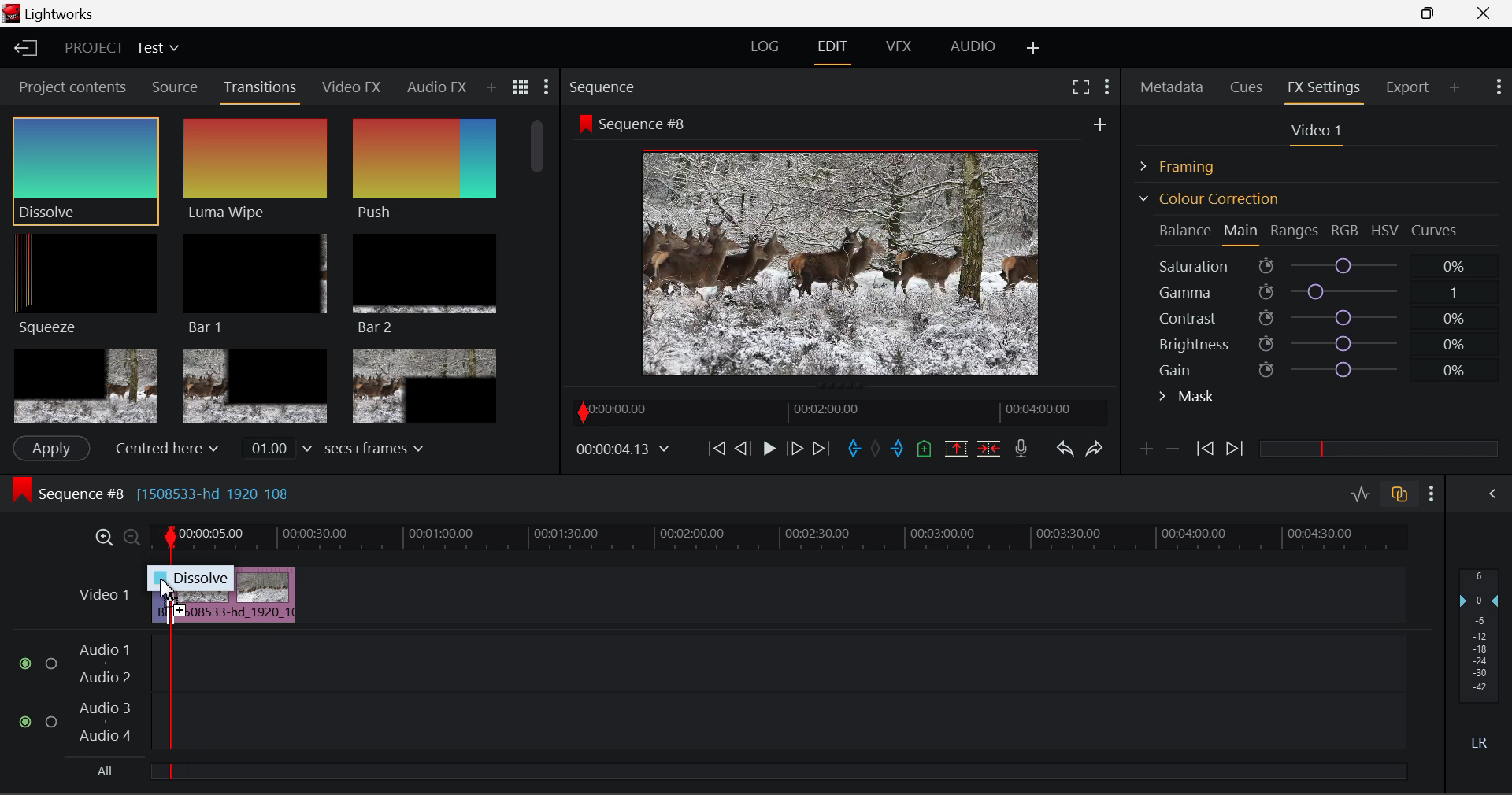 The width and height of the screenshot is (1512, 795). What do you see at coordinates (1021, 448) in the screenshot?
I see `Recrod Voiceover` at bounding box center [1021, 448].